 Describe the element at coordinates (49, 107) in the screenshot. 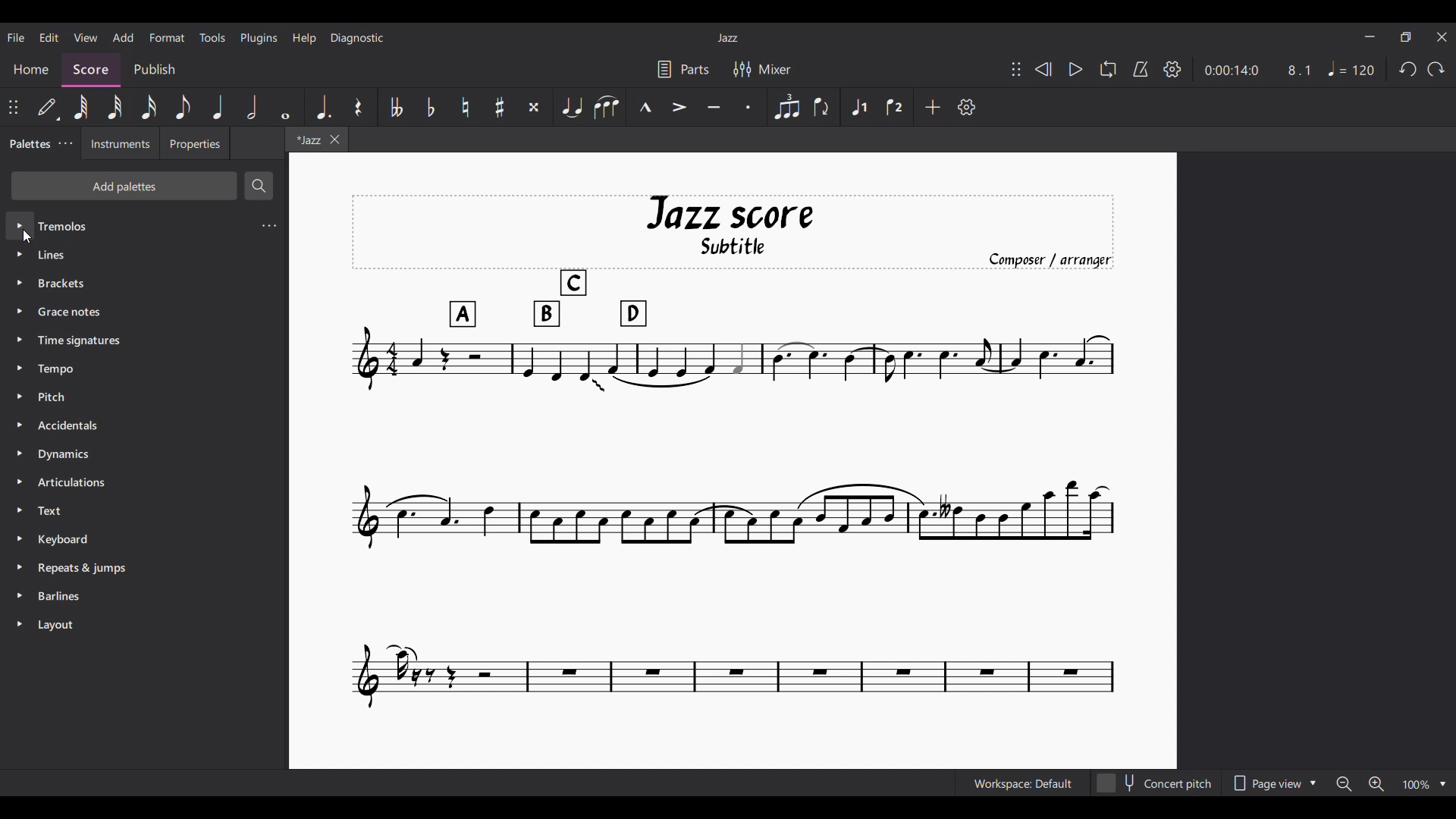

I see `Default` at that location.